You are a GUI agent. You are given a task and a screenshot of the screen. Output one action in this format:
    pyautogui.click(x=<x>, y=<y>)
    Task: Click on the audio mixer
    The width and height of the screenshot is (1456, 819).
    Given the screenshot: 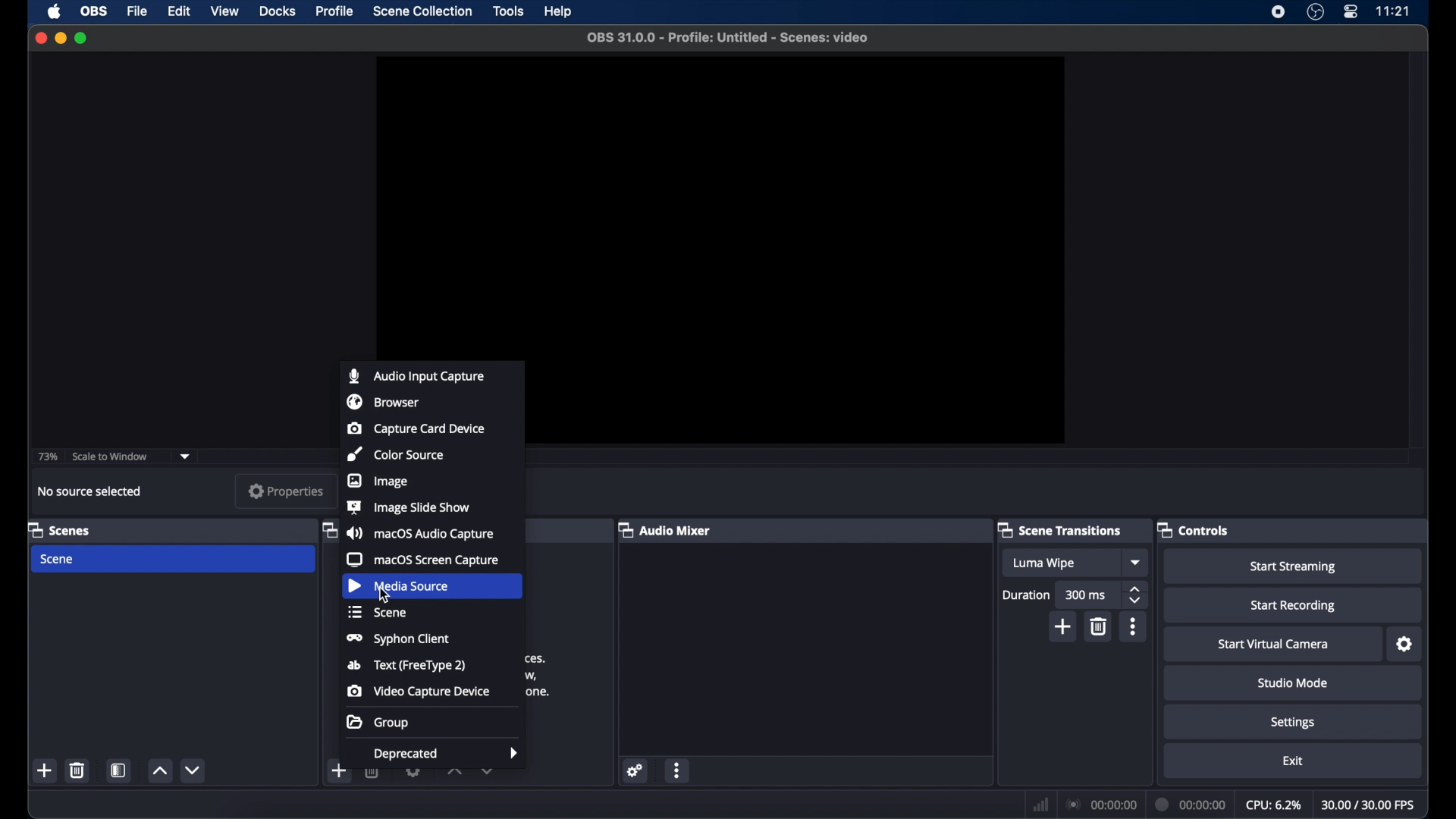 What is the action you would take?
    pyautogui.click(x=664, y=529)
    